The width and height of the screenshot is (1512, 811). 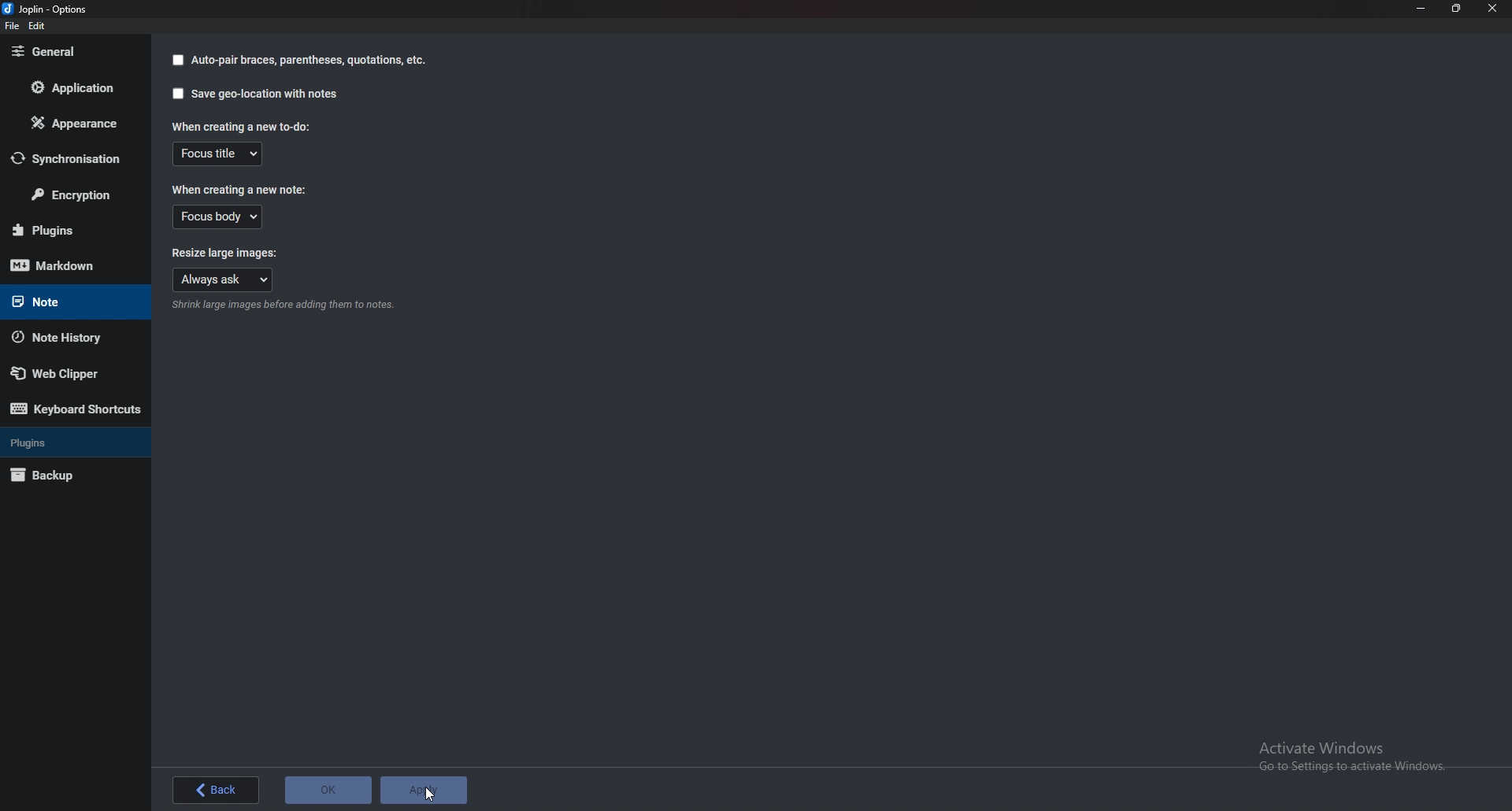 What do you see at coordinates (76, 412) in the screenshot?
I see `Keyboard shortcuts` at bounding box center [76, 412].